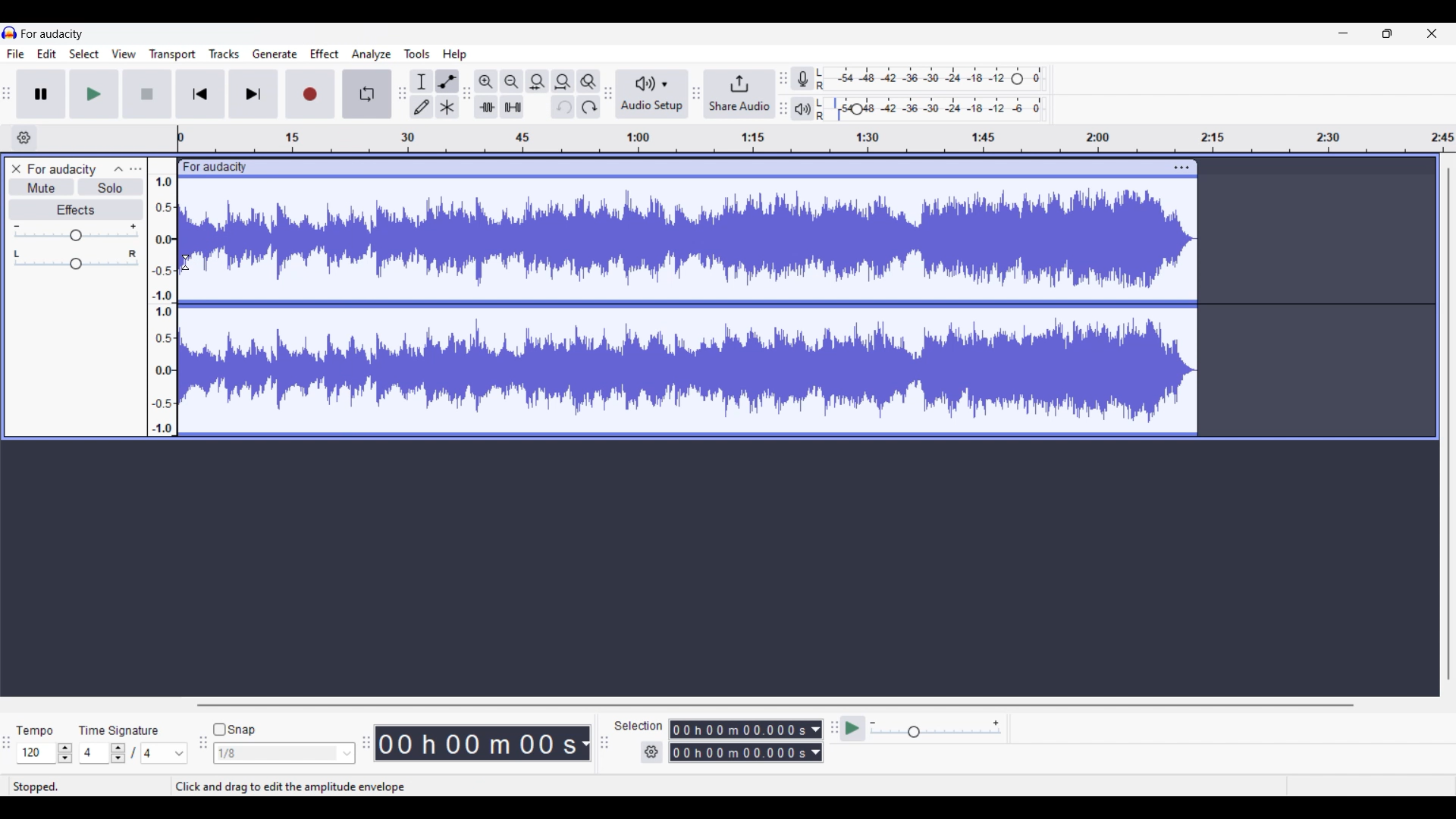 The image size is (1456, 819). I want to click on Share audio, so click(740, 93).